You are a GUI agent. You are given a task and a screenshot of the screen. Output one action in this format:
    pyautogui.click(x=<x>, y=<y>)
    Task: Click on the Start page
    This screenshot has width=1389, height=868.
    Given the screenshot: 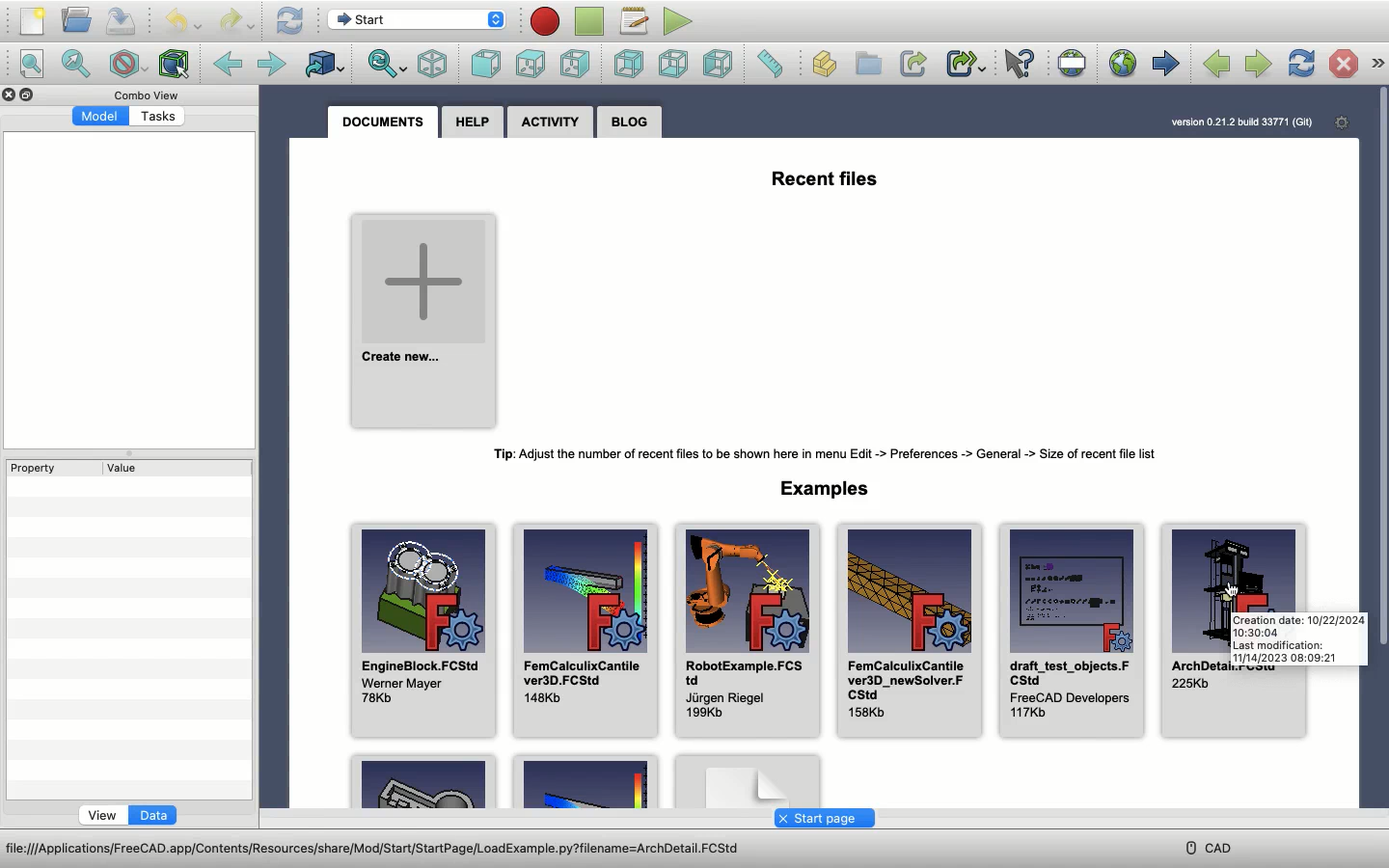 What is the action you would take?
    pyautogui.click(x=1165, y=64)
    